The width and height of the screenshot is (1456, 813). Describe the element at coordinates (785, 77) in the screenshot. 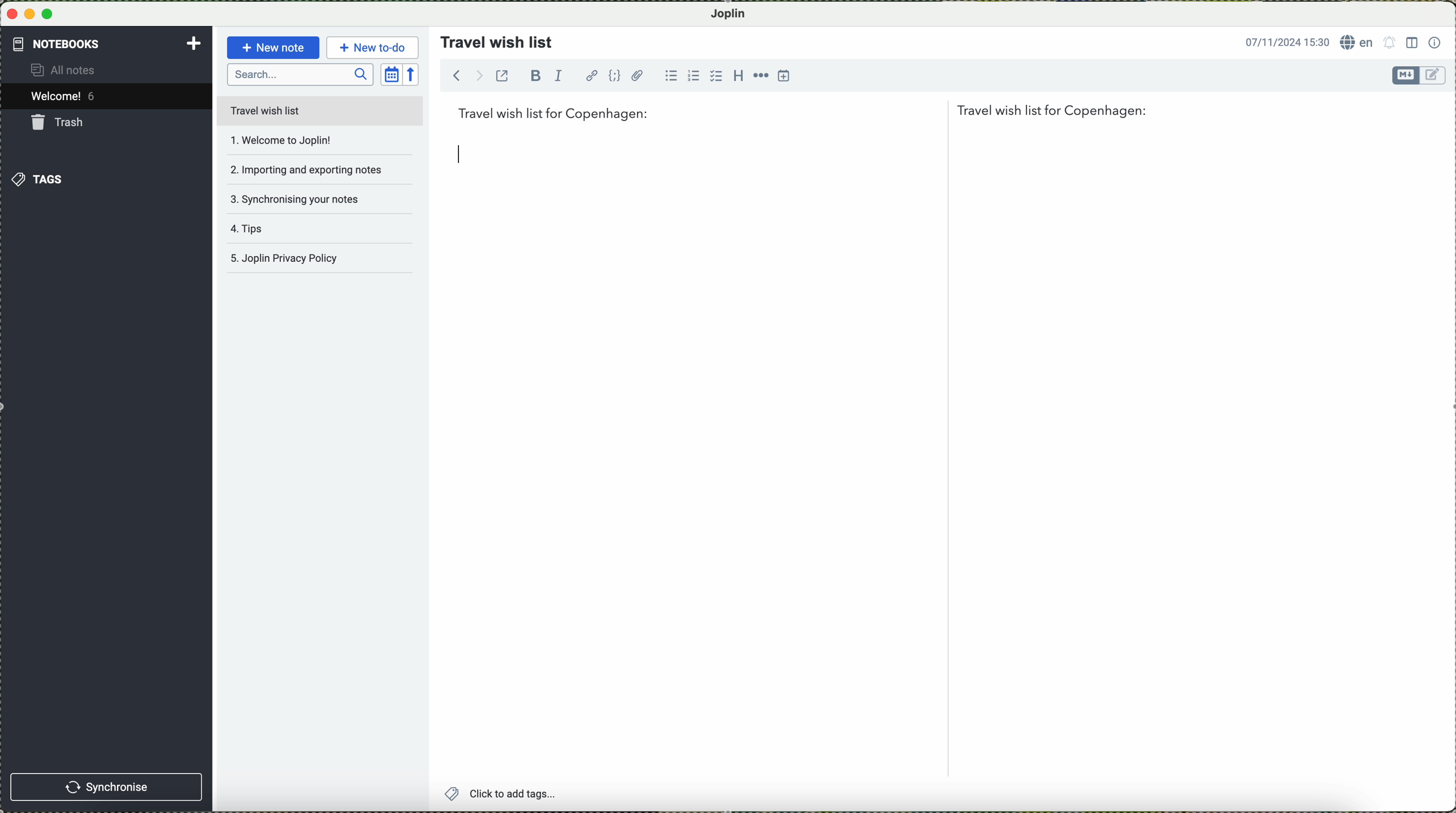

I see `insert time` at that location.